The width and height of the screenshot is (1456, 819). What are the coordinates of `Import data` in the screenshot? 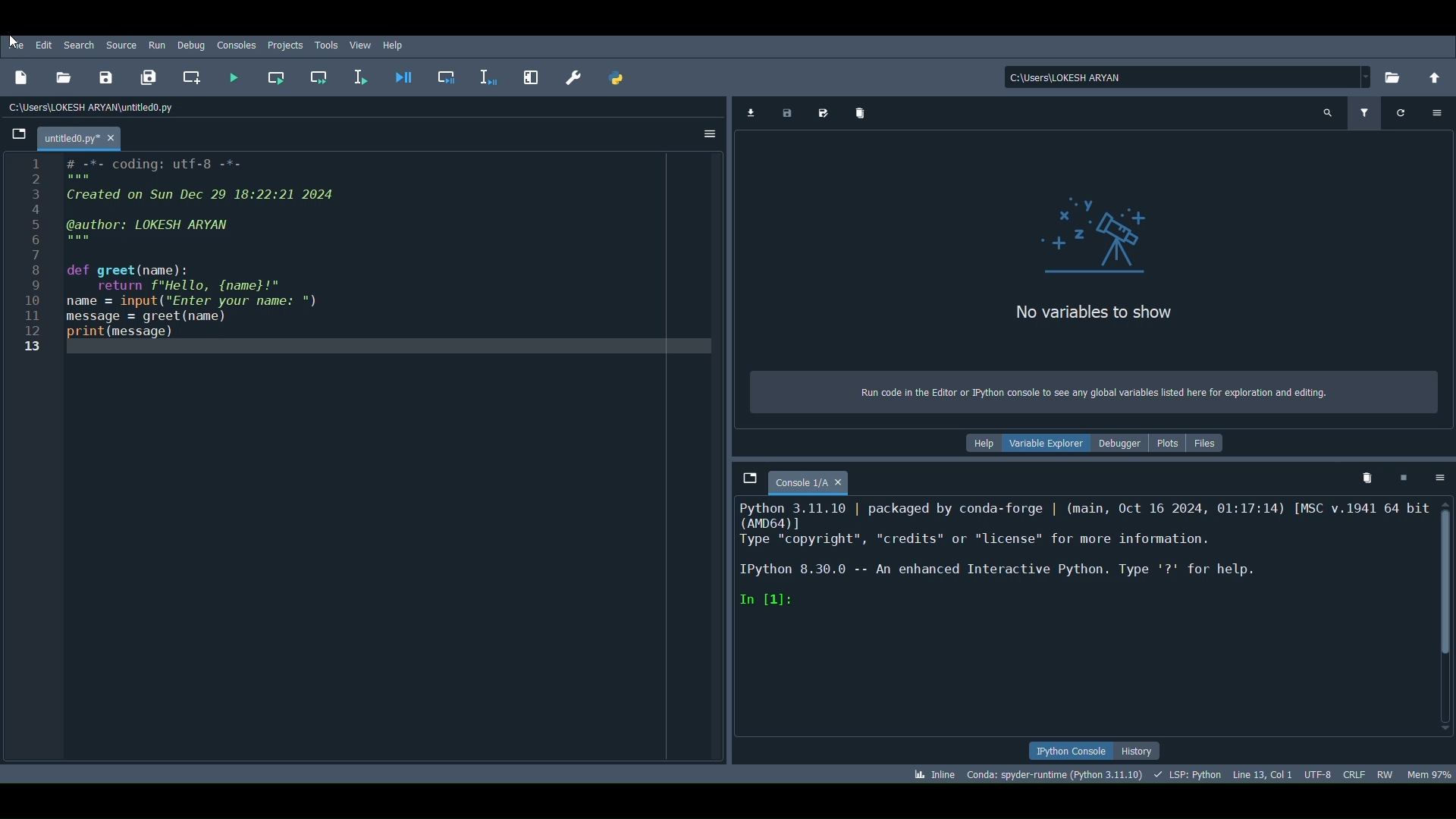 It's located at (751, 113).